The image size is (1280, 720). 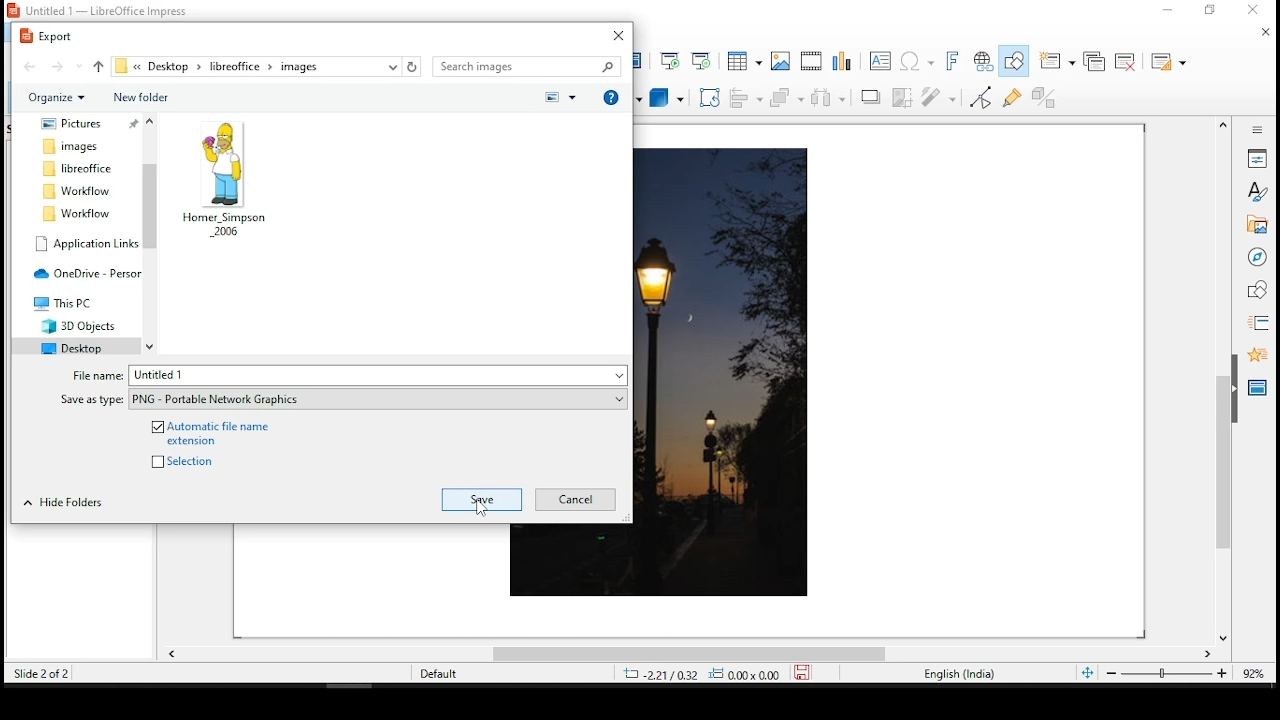 I want to click on toggle point edit mode, so click(x=981, y=100).